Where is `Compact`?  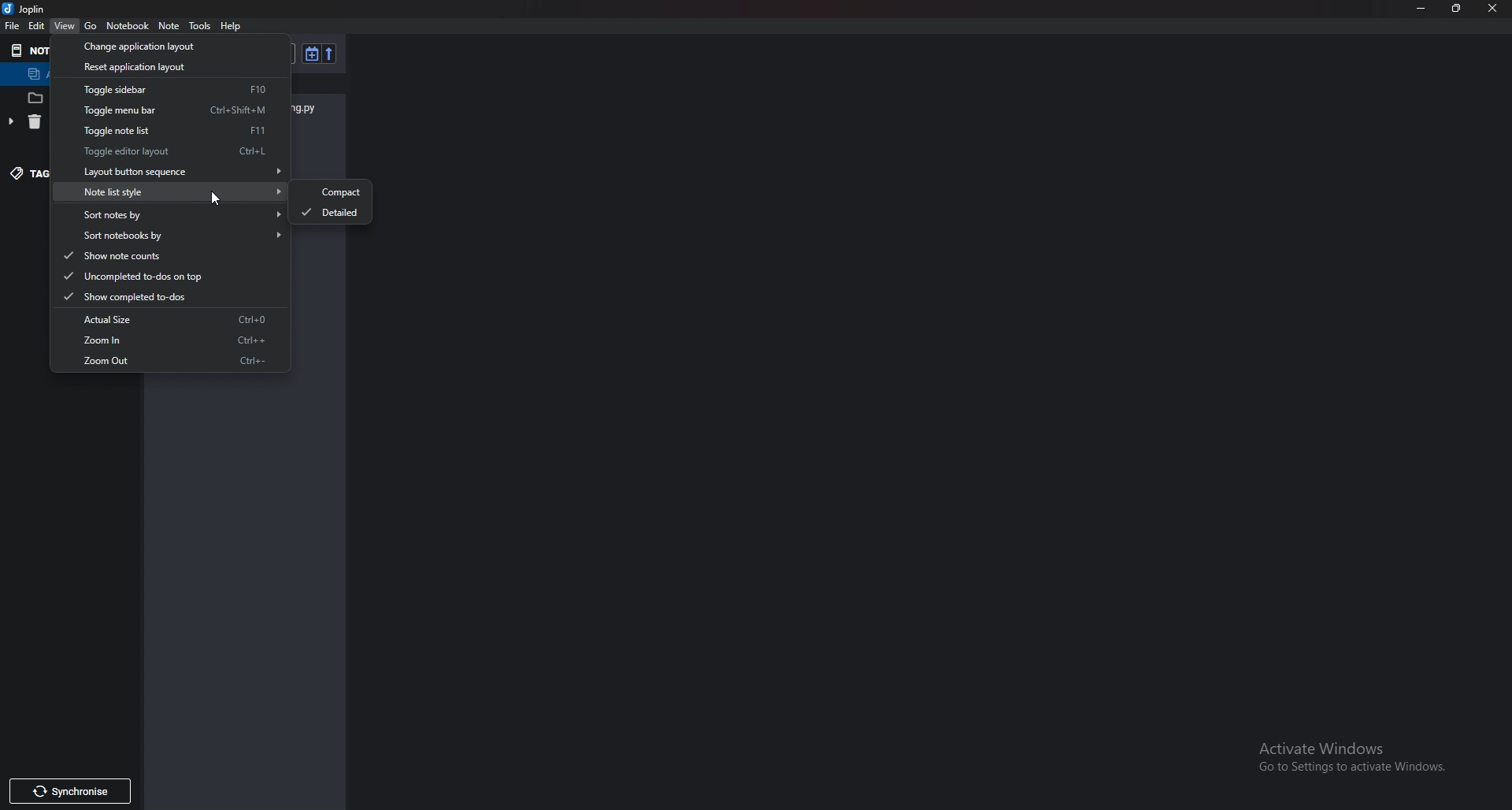
Compact is located at coordinates (337, 191).